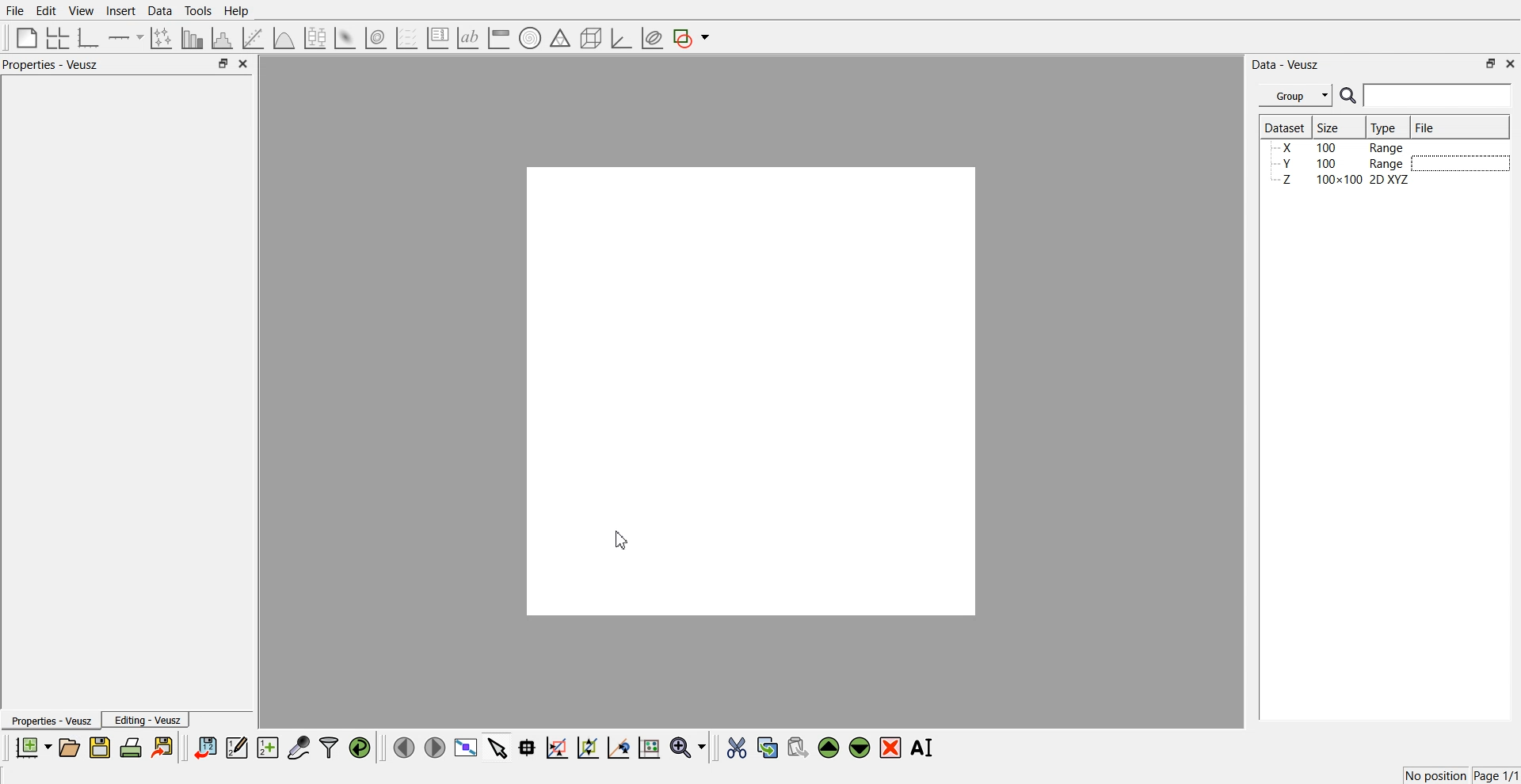  I want to click on Polar Graph, so click(530, 38).